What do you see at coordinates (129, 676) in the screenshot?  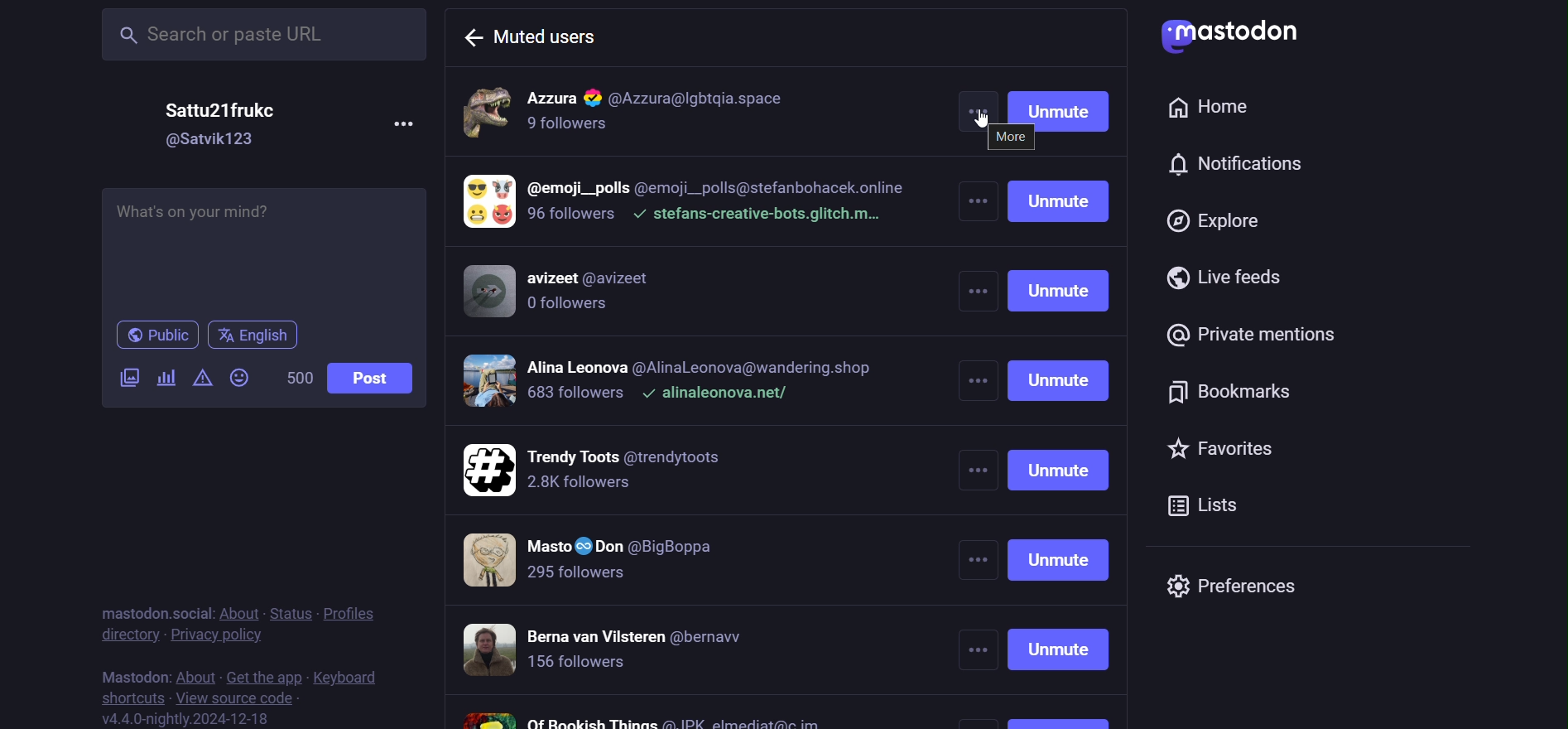 I see `mastodon` at bounding box center [129, 676].